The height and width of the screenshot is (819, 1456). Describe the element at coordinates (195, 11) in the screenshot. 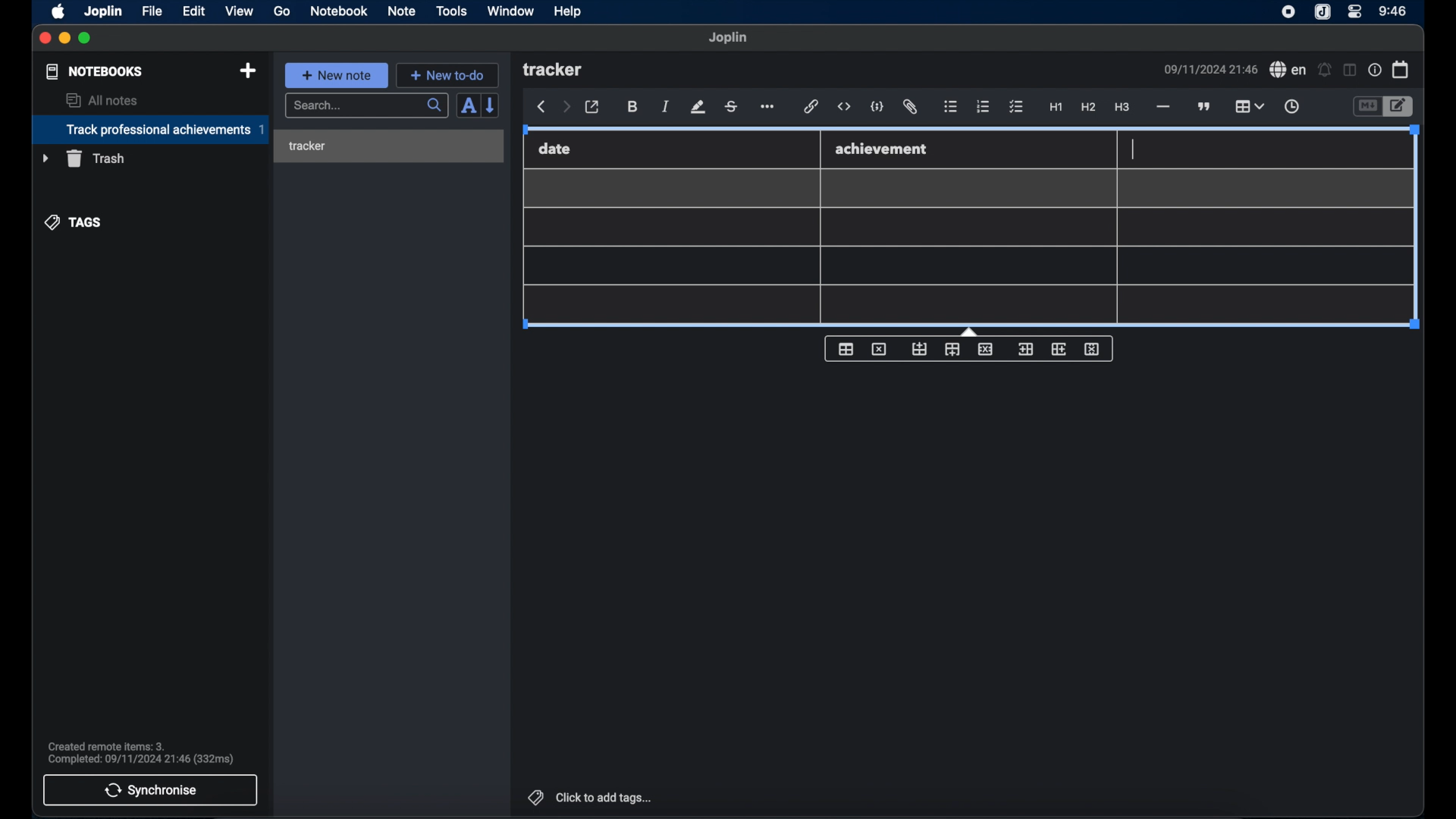

I see `edit` at that location.